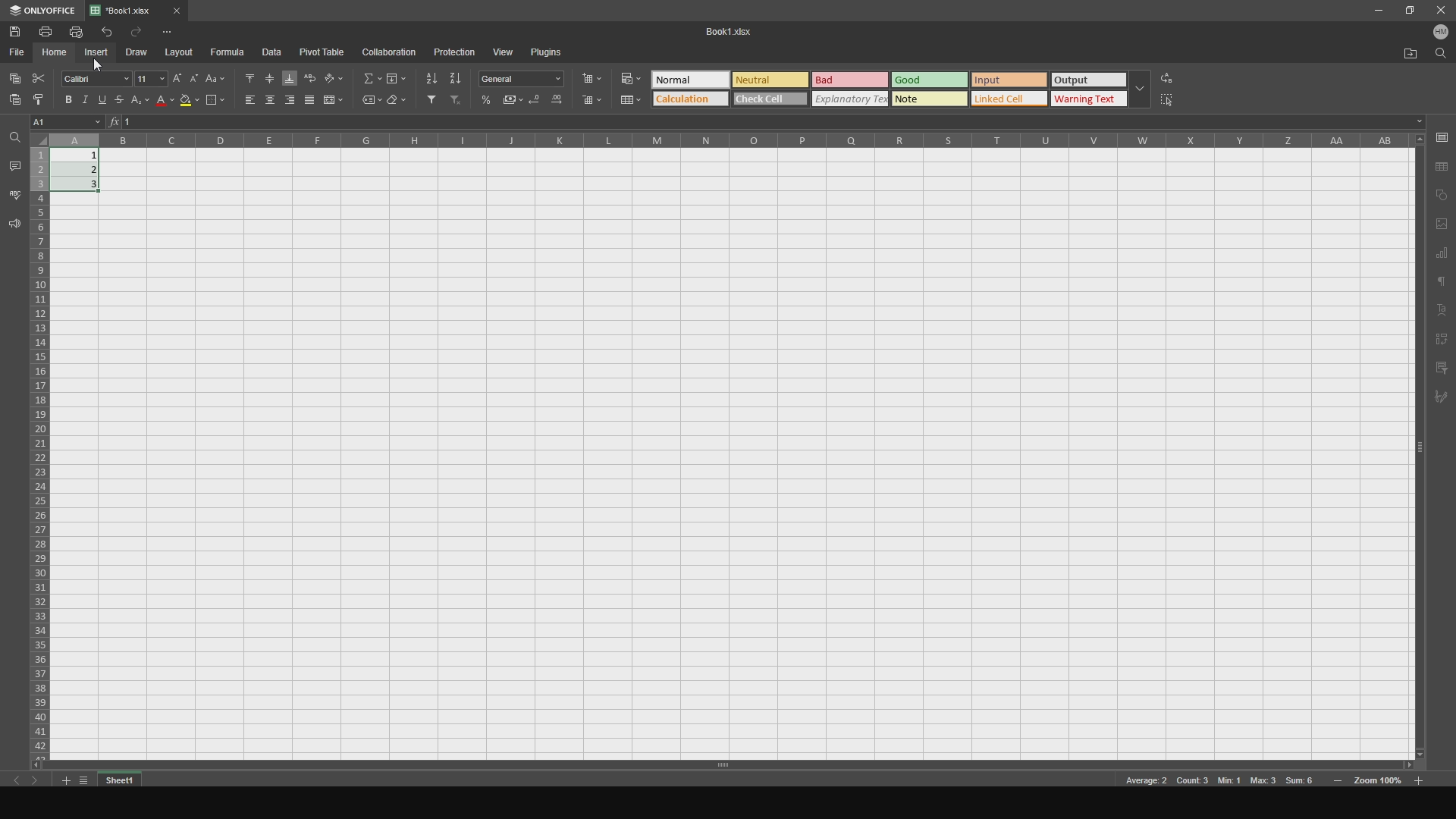  What do you see at coordinates (1442, 136) in the screenshot?
I see `save` at bounding box center [1442, 136].